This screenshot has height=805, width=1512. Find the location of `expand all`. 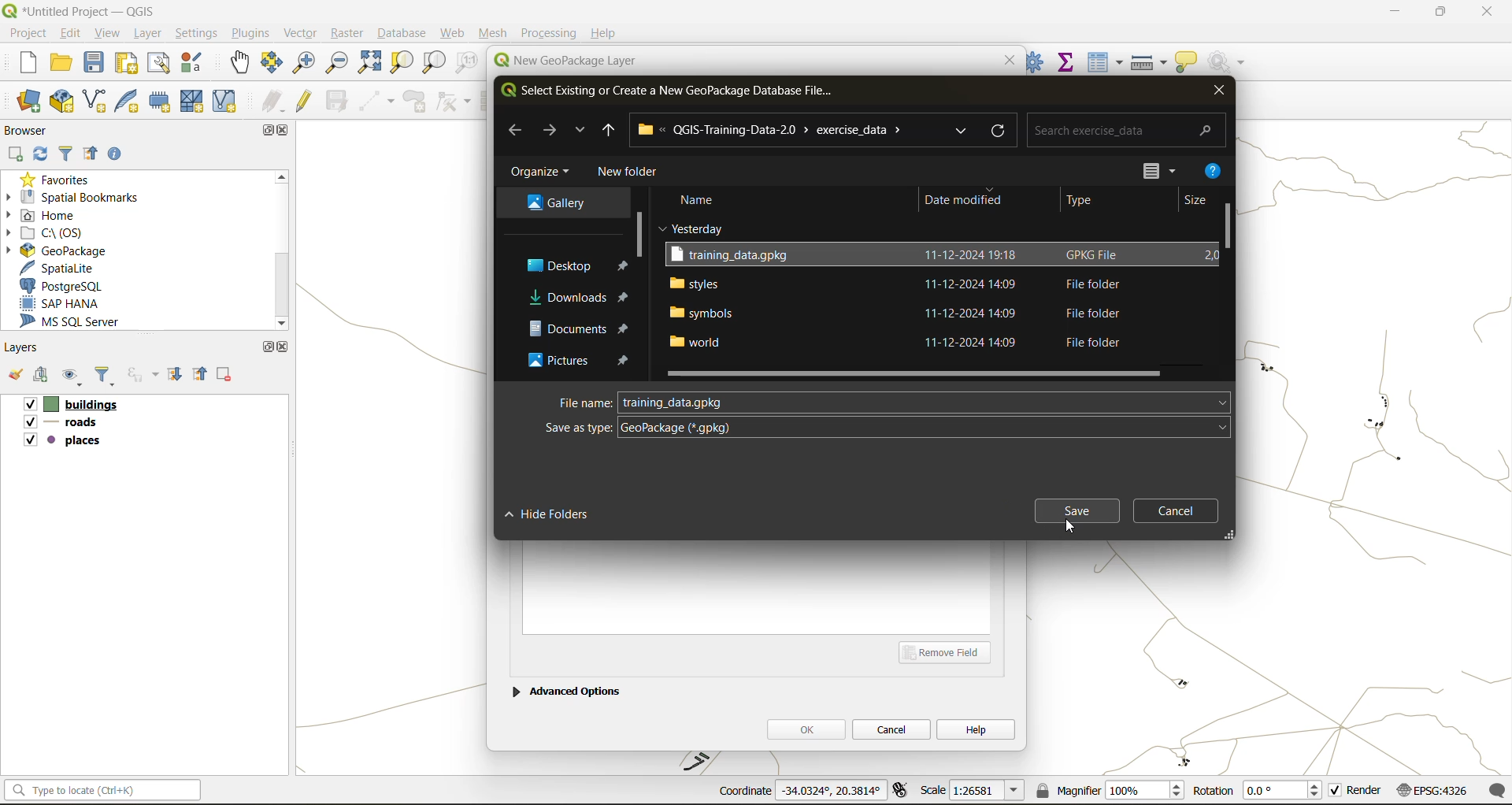

expand all is located at coordinates (177, 375).